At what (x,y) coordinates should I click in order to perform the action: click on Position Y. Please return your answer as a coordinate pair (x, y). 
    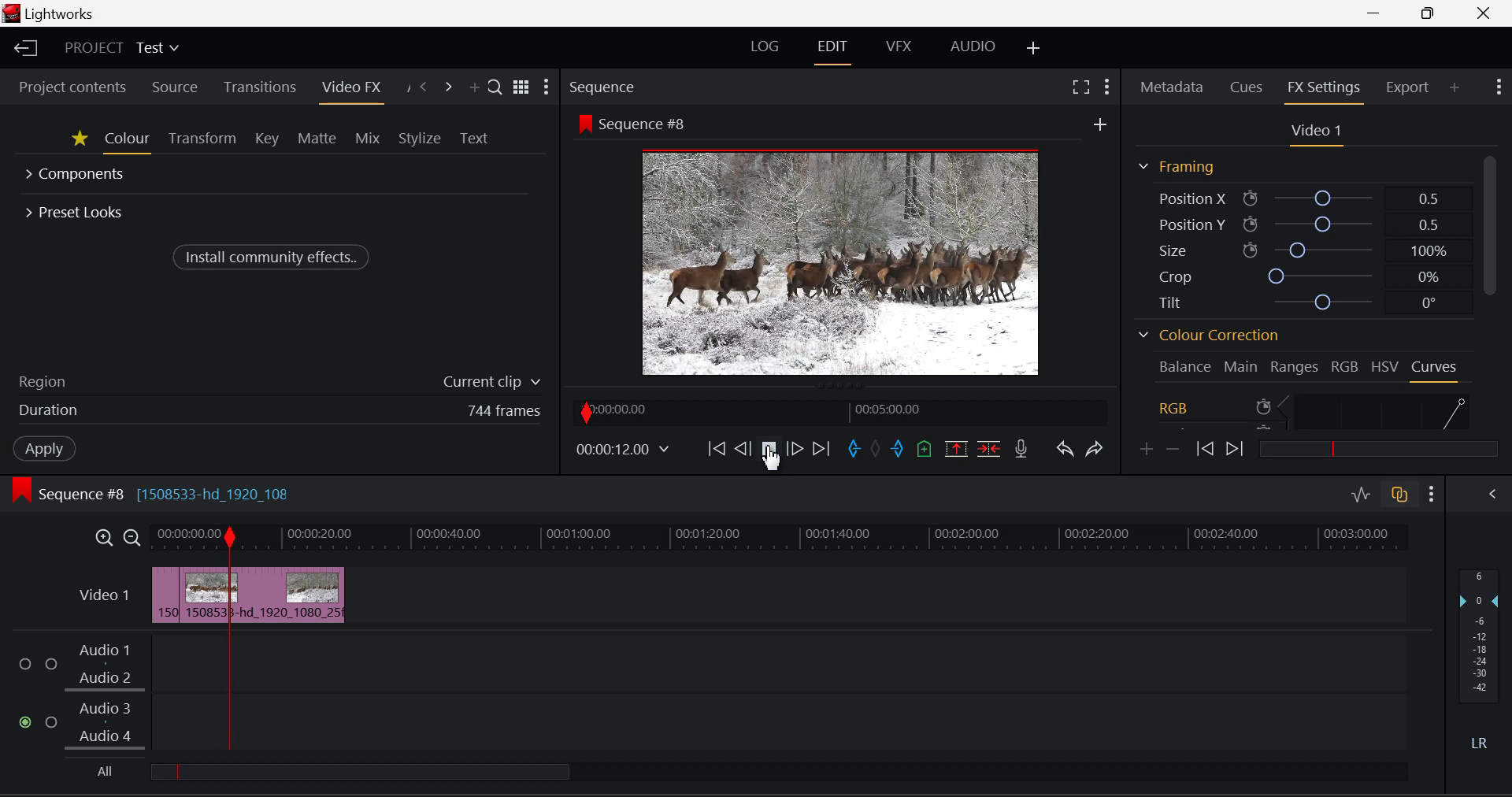
    Looking at the image, I should click on (1300, 223).